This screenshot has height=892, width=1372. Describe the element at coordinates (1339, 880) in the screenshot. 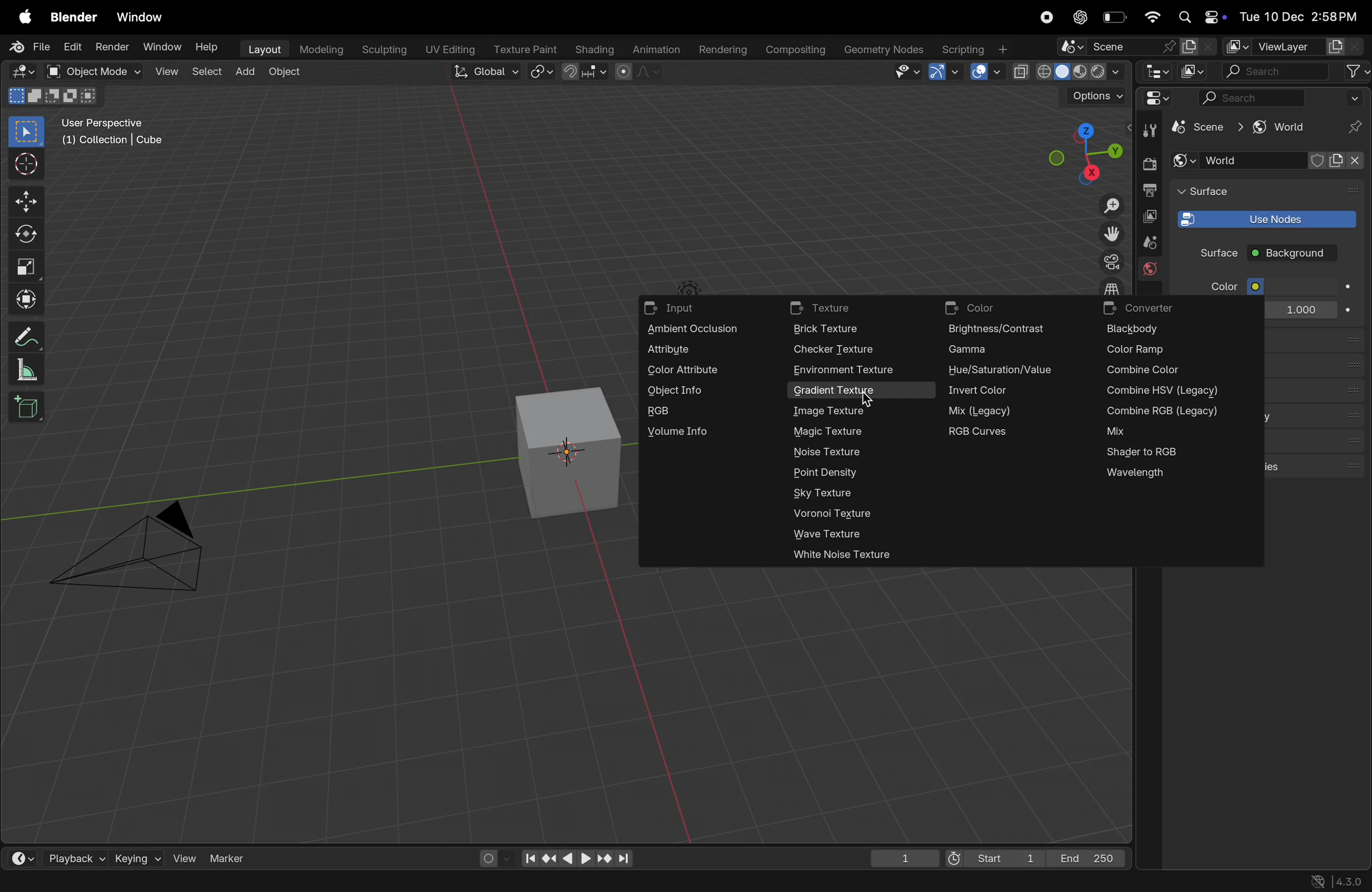

I see `Version` at that location.